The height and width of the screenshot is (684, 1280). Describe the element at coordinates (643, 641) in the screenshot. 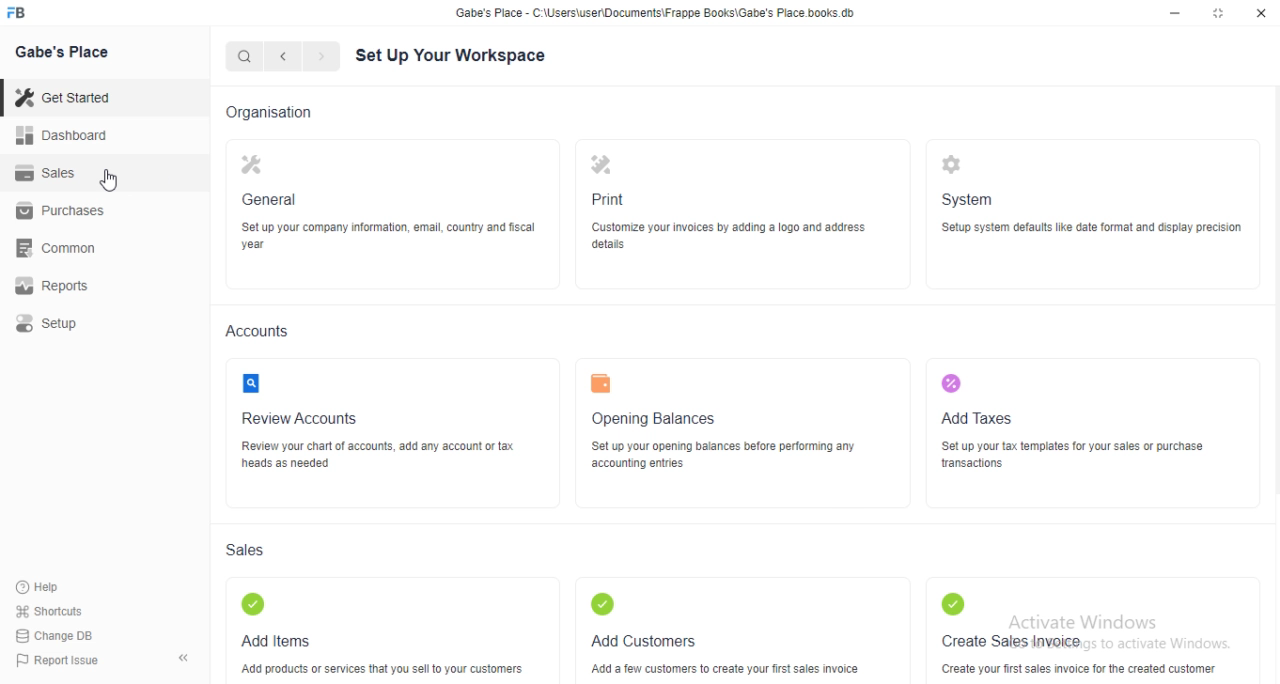

I see `Add Customers` at that location.